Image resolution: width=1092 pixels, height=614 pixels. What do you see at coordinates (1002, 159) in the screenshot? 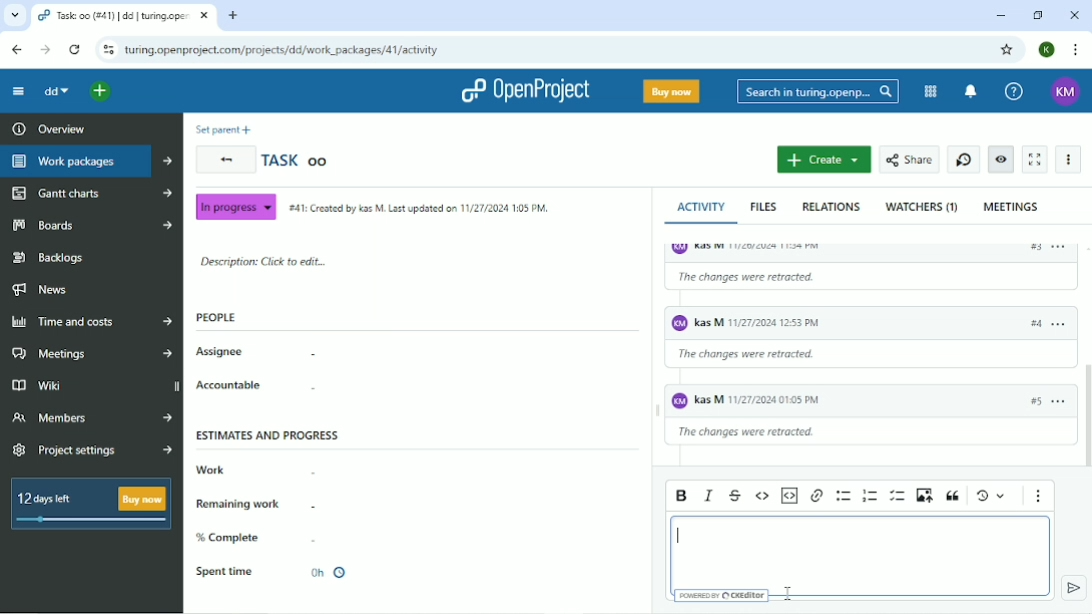
I see `Unwatch work package` at bounding box center [1002, 159].